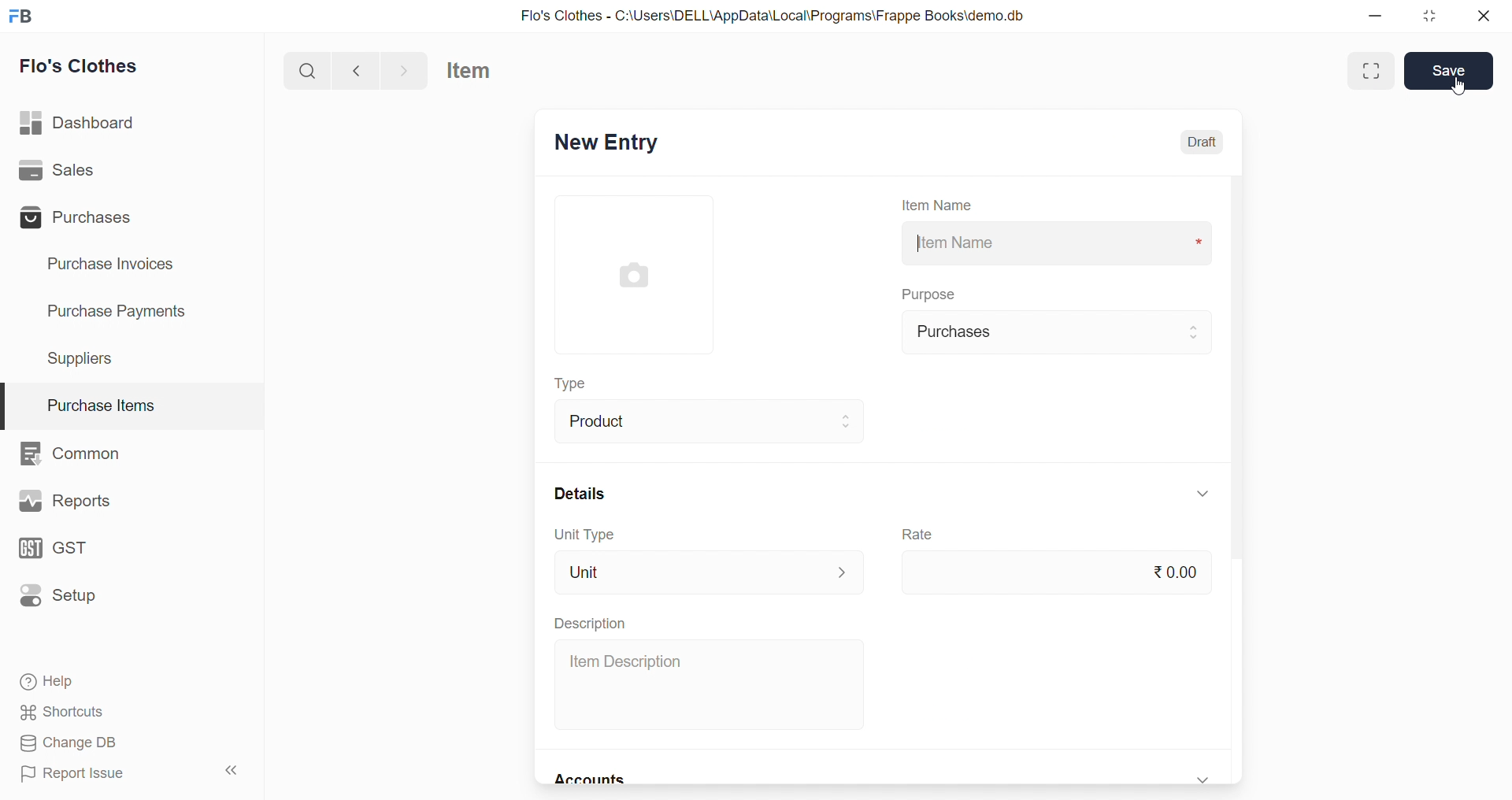  I want to click on Accounts, so click(595, 780).